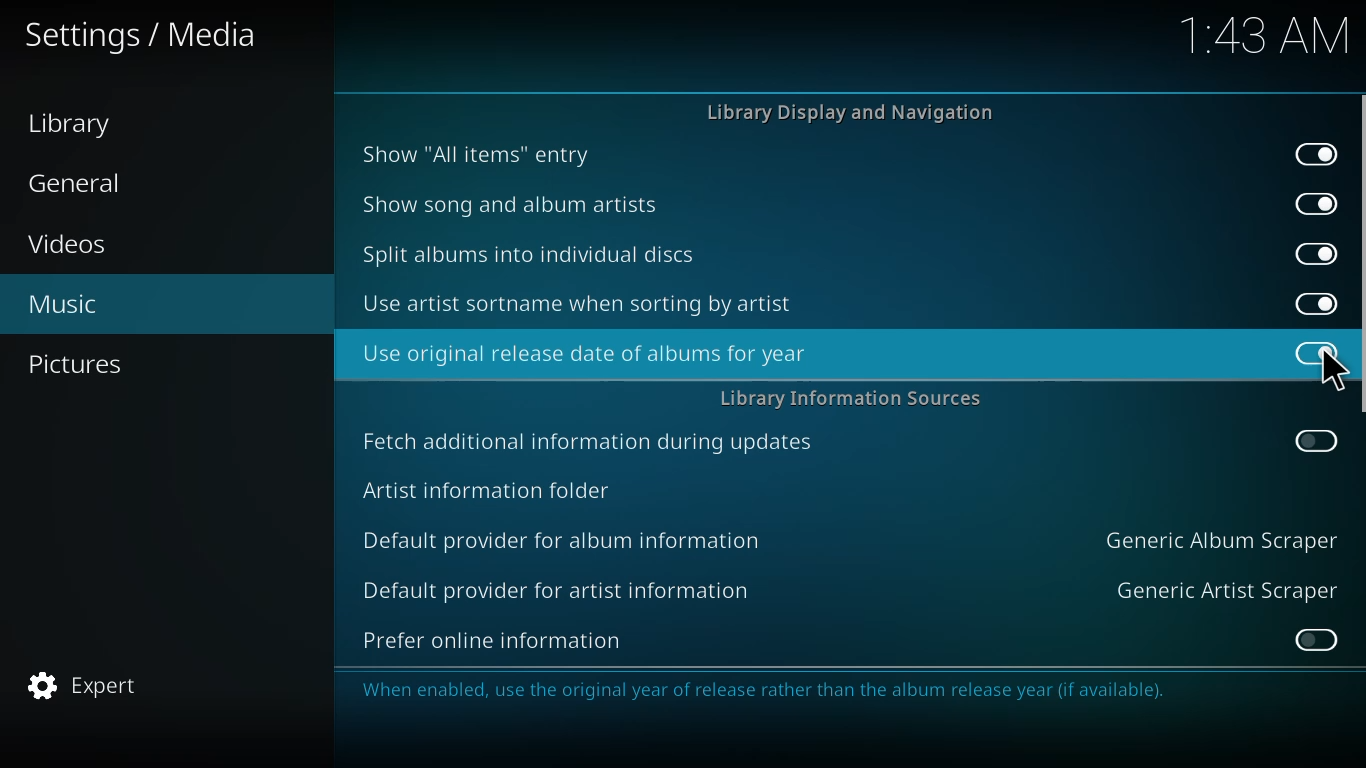  I want to click on enabled, so click(1316, 203).